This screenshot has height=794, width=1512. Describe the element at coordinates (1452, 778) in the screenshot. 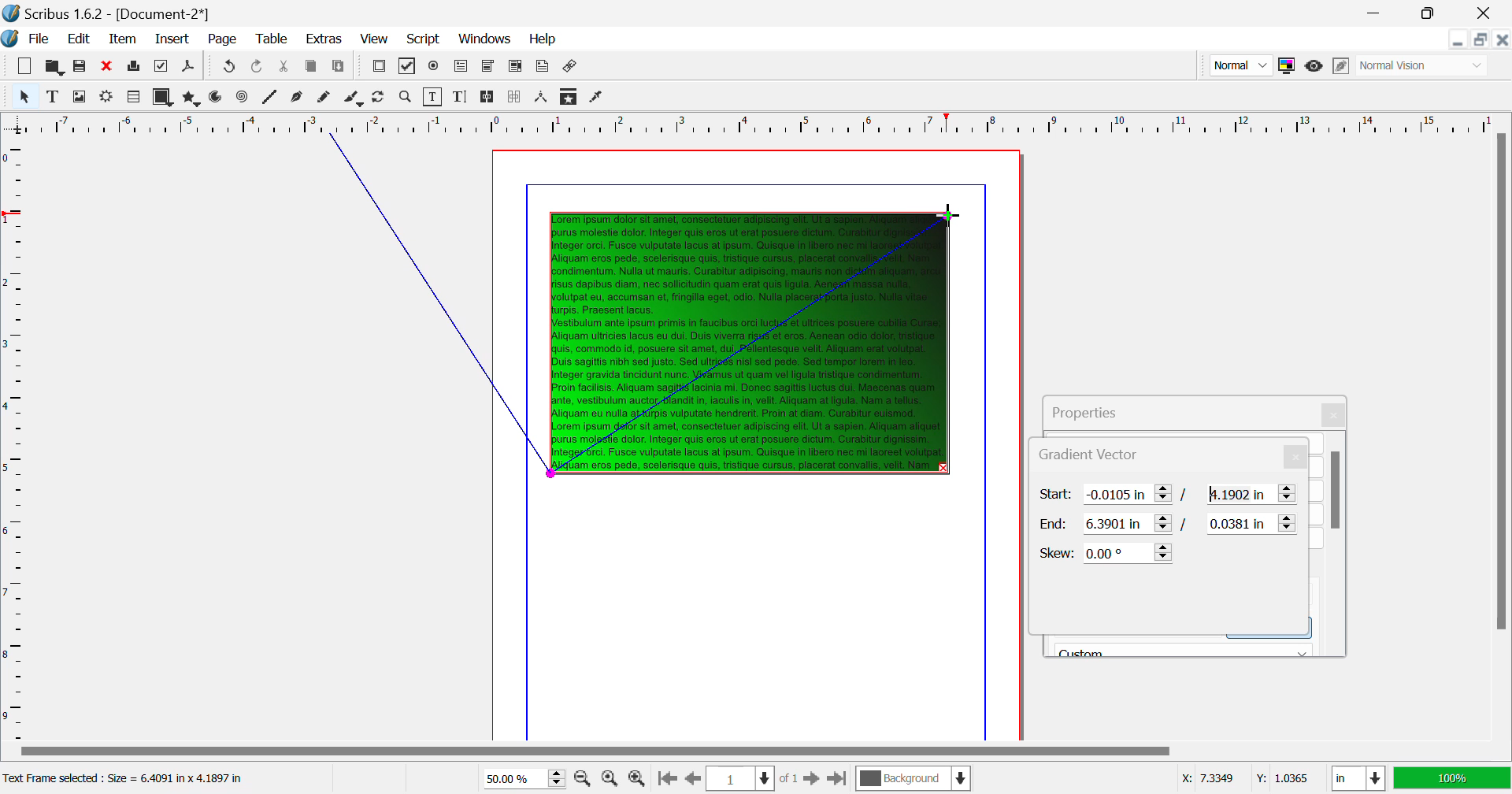

I see `Display Appearance` at that location.